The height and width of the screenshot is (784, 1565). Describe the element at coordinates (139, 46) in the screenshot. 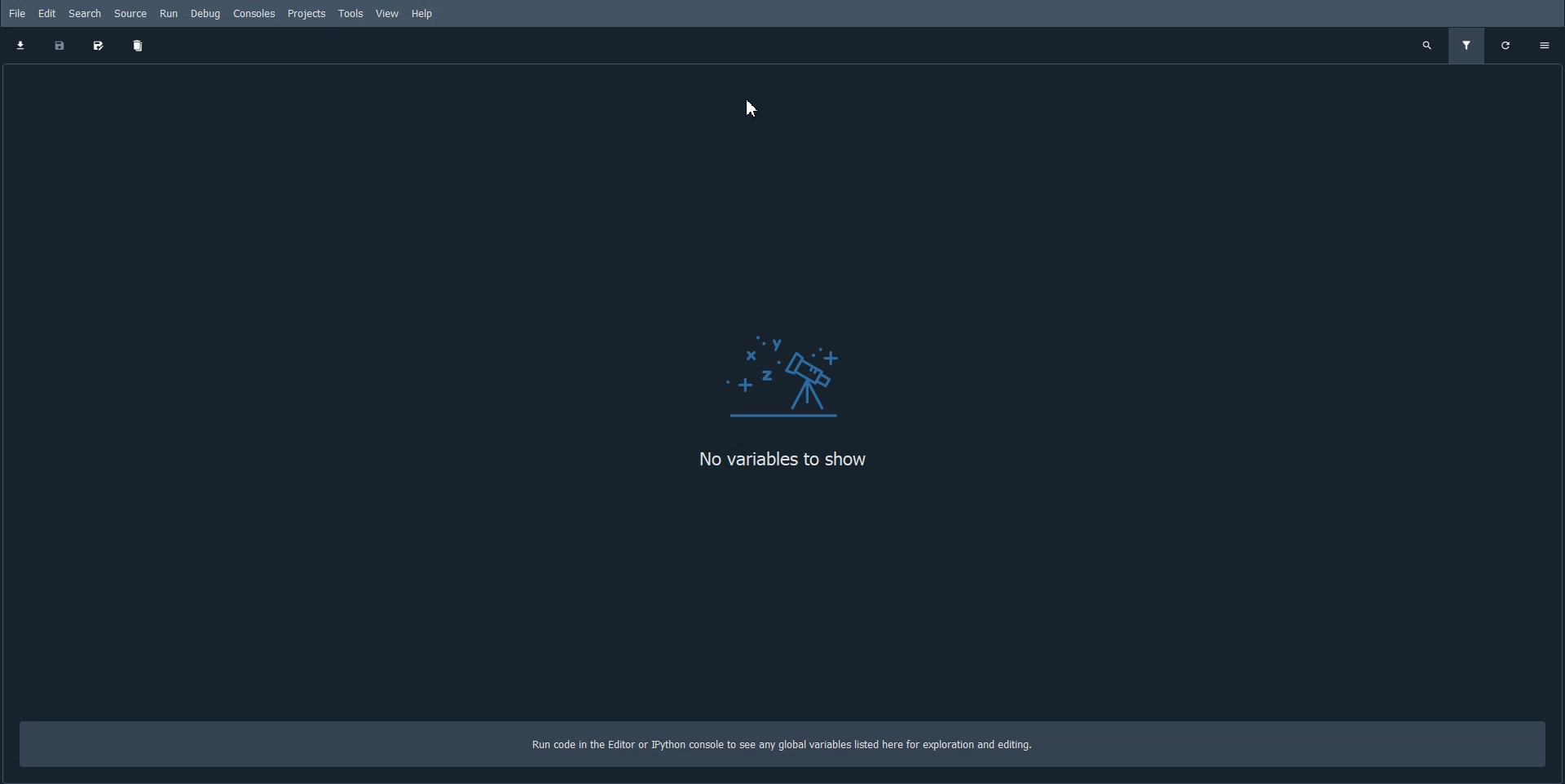

I see `Remove all variables` at that location.